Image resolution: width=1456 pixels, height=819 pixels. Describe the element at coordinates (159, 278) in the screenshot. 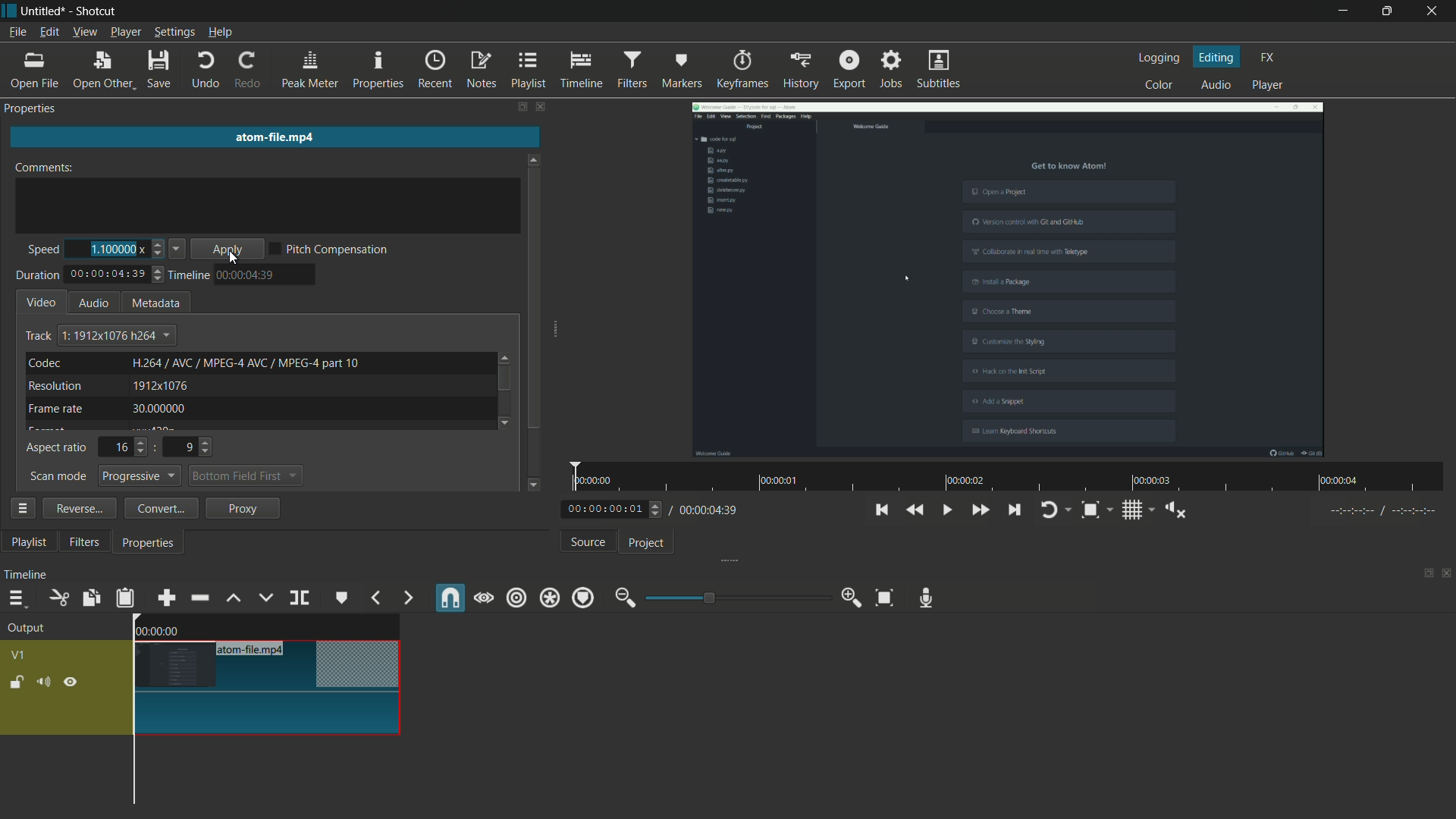

I see `adjust` at that location.